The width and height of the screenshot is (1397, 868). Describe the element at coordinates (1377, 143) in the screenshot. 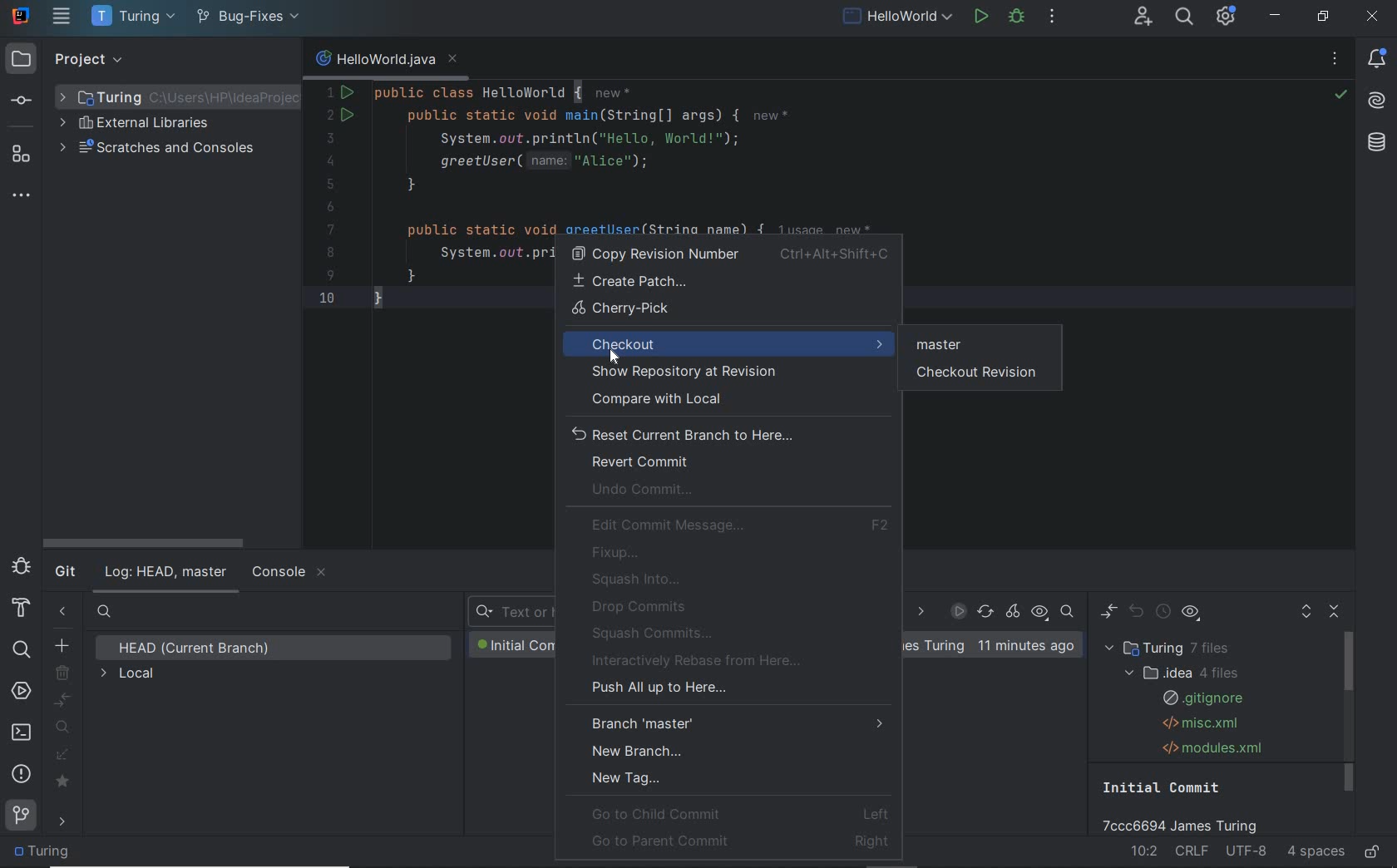

I see `database` at that location.